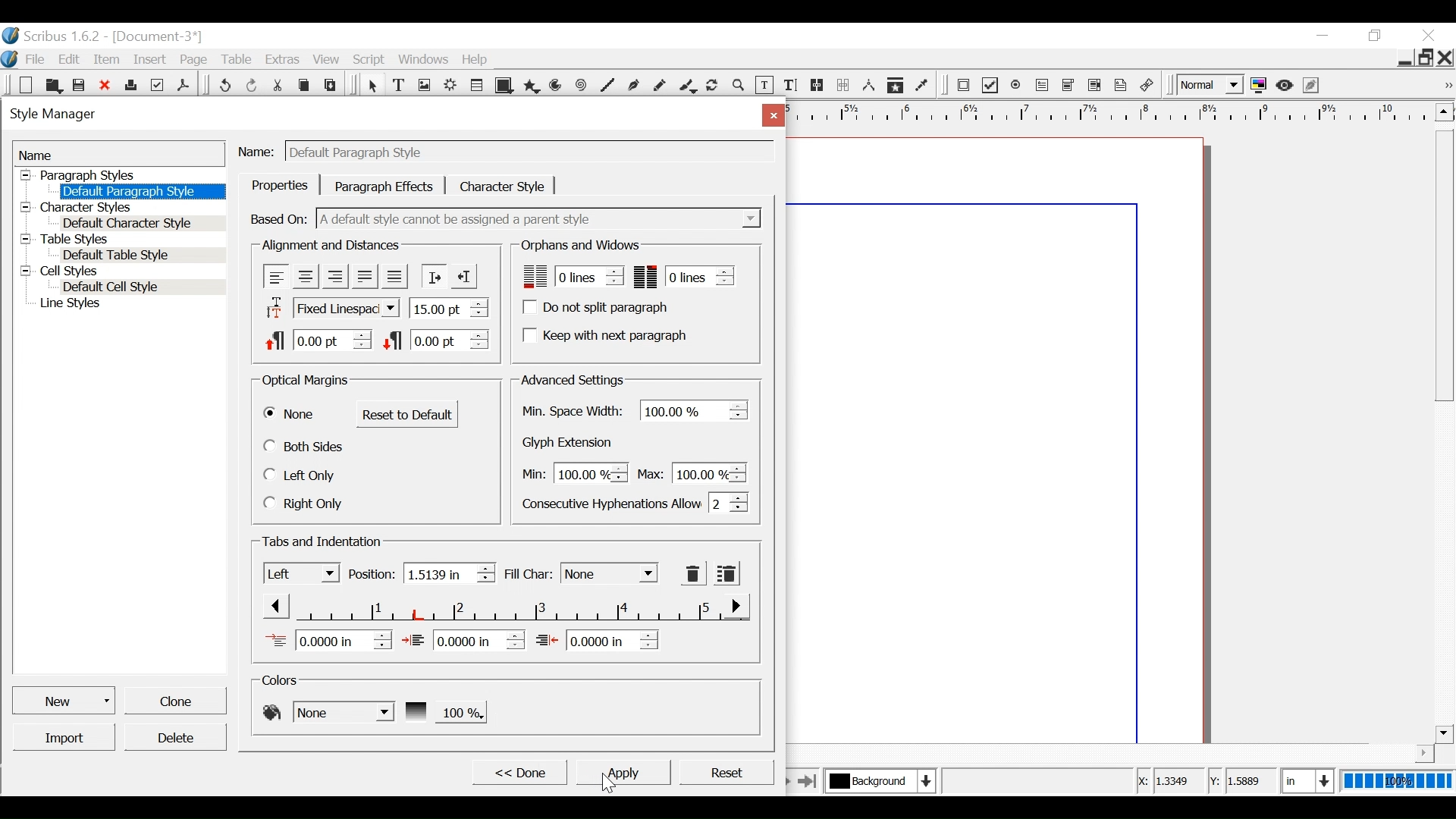 This screenshot has height=819, width=1456. What do you see at coordinates (463, 639) in the screenshot?
I see `Left Indent` at bounding box center [463, 639].